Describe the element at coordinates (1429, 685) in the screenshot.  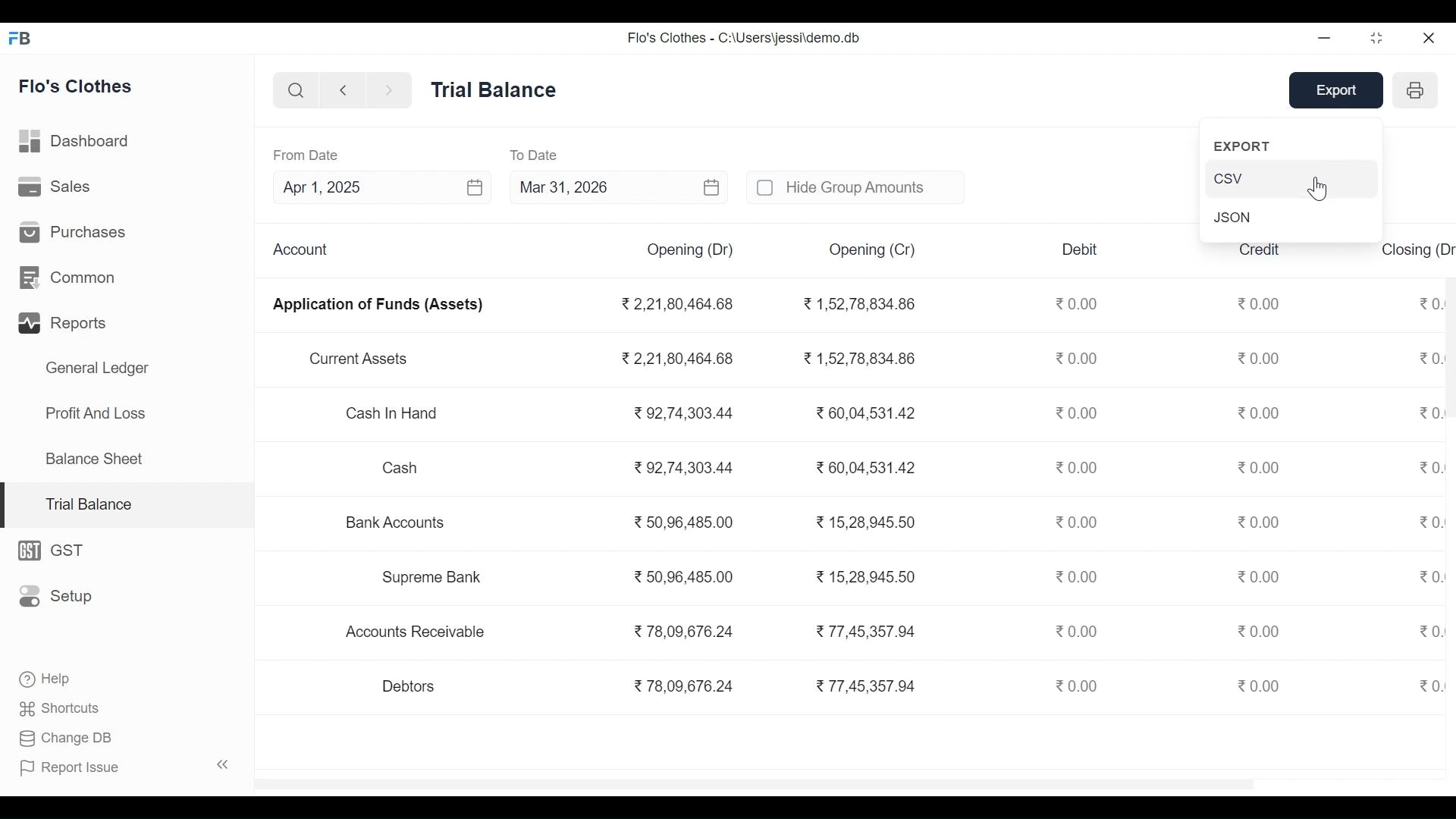
I see `0.00` at that location.